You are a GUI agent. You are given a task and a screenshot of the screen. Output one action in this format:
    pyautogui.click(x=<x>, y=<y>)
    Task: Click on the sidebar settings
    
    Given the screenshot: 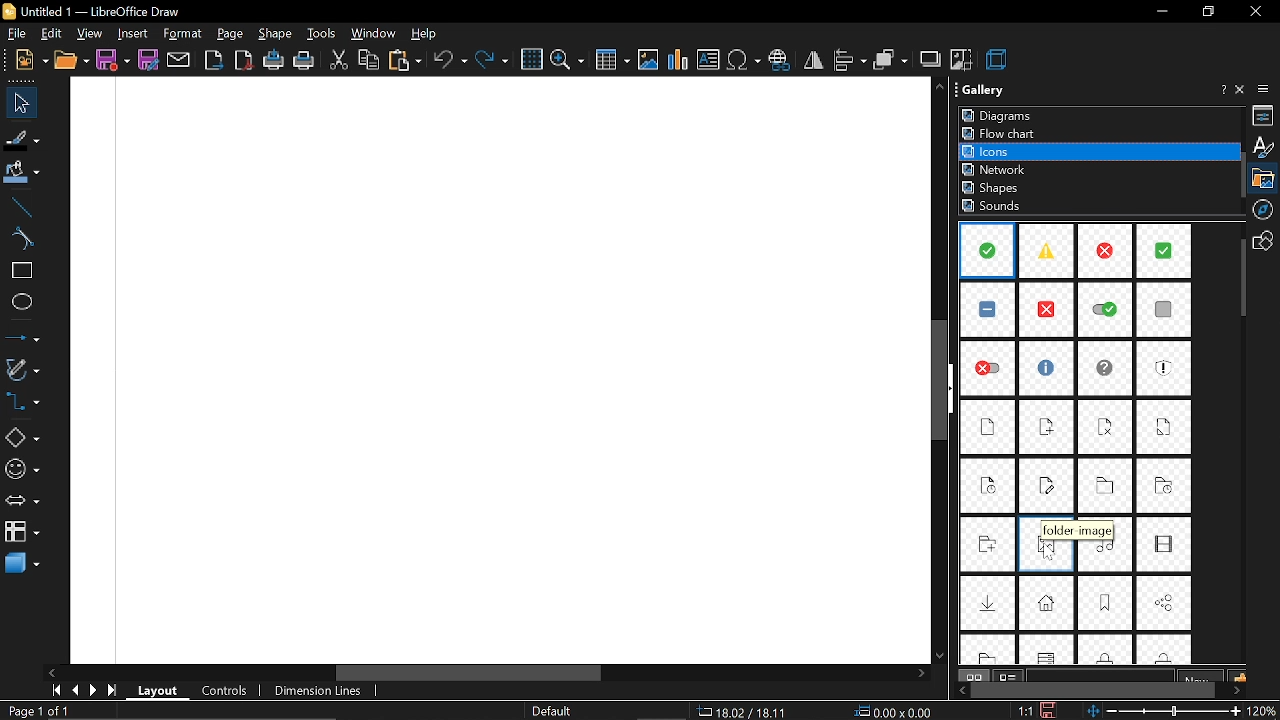 What is the action you would take?
    pyautogui.click(x=1266, y=89)
    